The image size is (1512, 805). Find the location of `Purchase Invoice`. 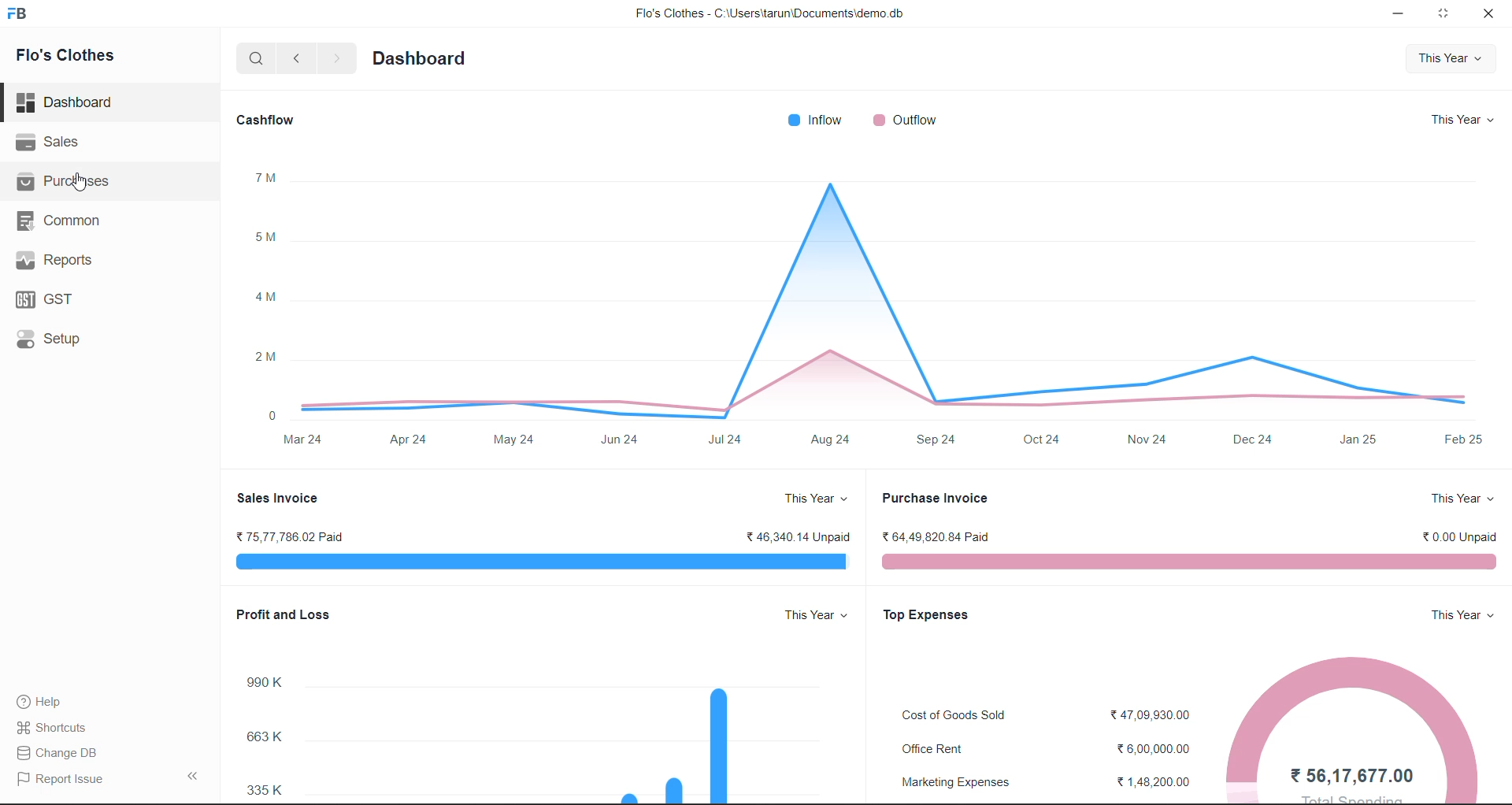

Purchase Invoice is located at coordinates (935, 499).